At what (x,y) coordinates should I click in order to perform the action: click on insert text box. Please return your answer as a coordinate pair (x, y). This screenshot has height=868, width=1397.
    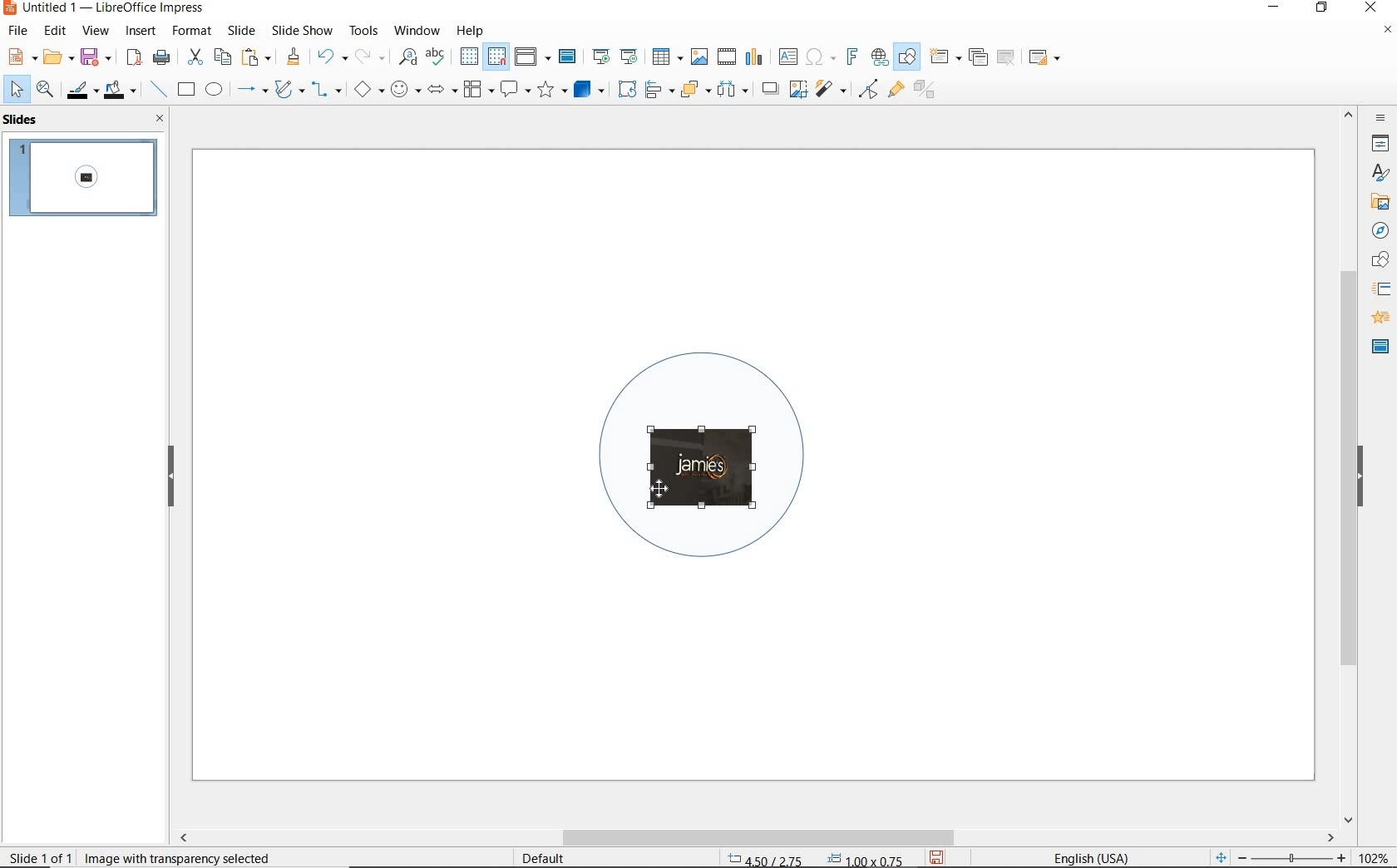
    Looking at the image, I should click on (787, 57).